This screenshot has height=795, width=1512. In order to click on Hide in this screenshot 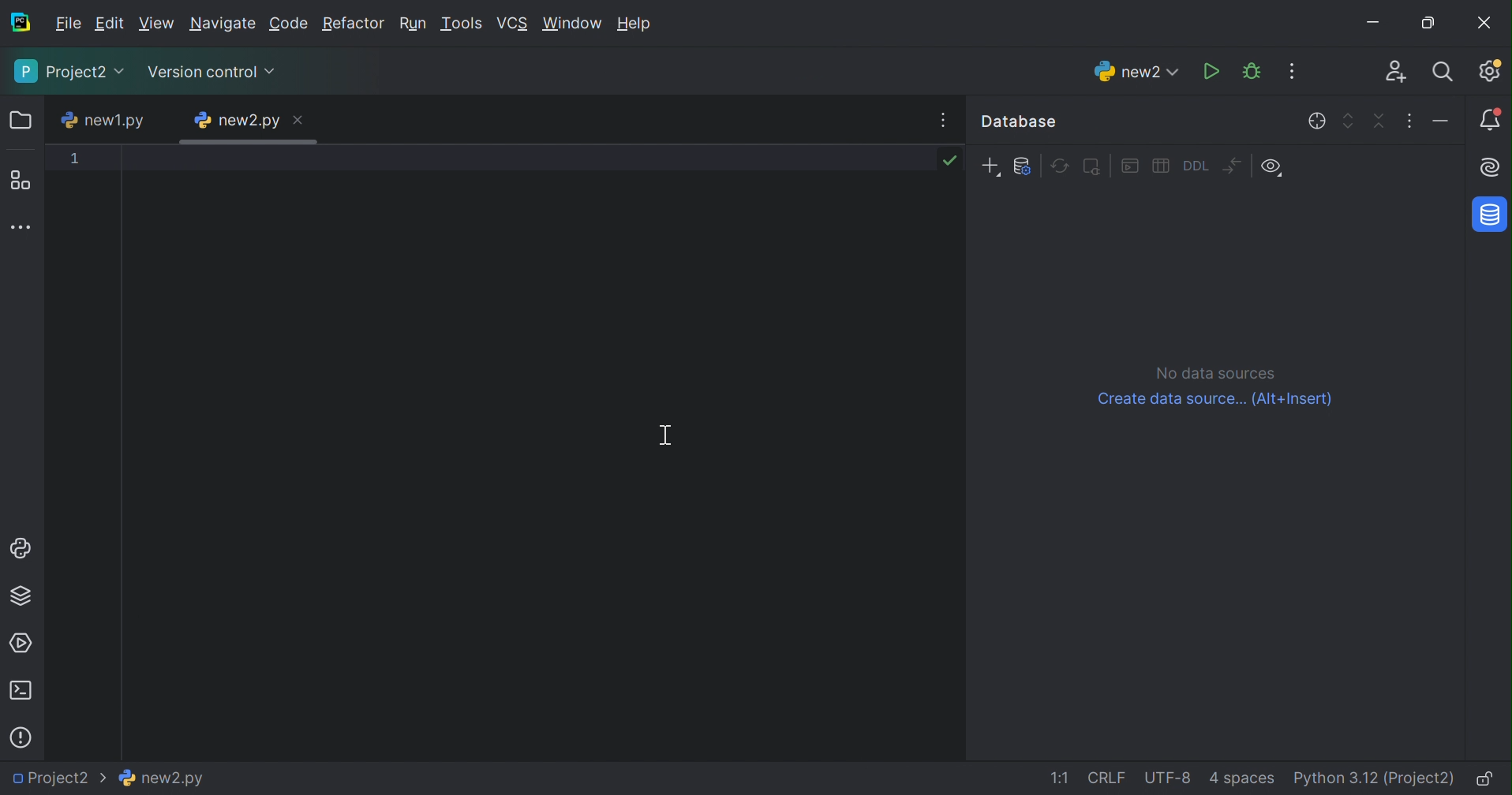, I will do `click(1287, 122)`.